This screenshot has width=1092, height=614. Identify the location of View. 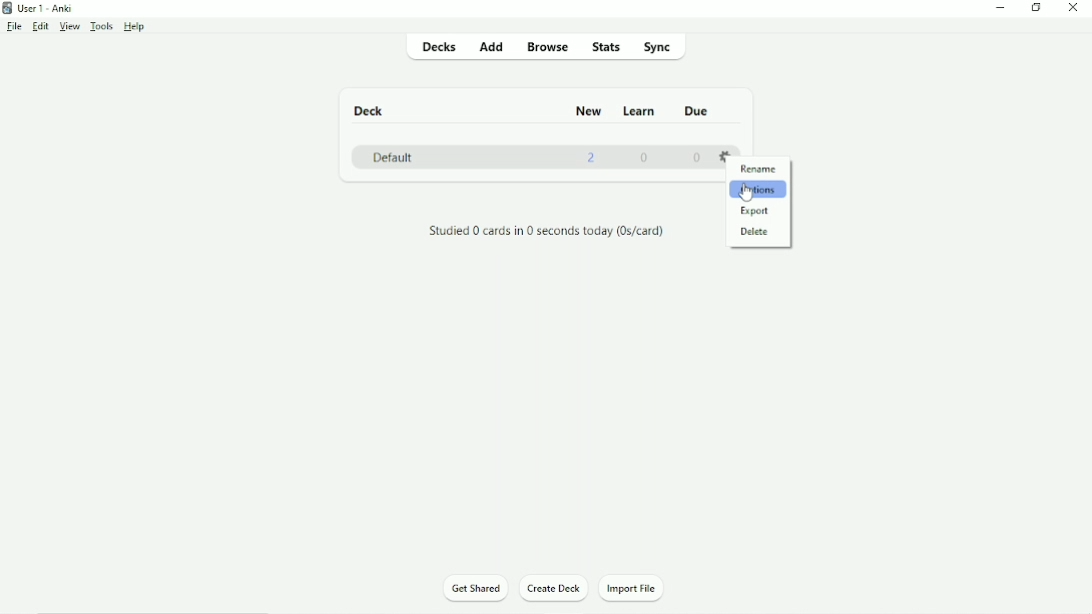
(70, 25).